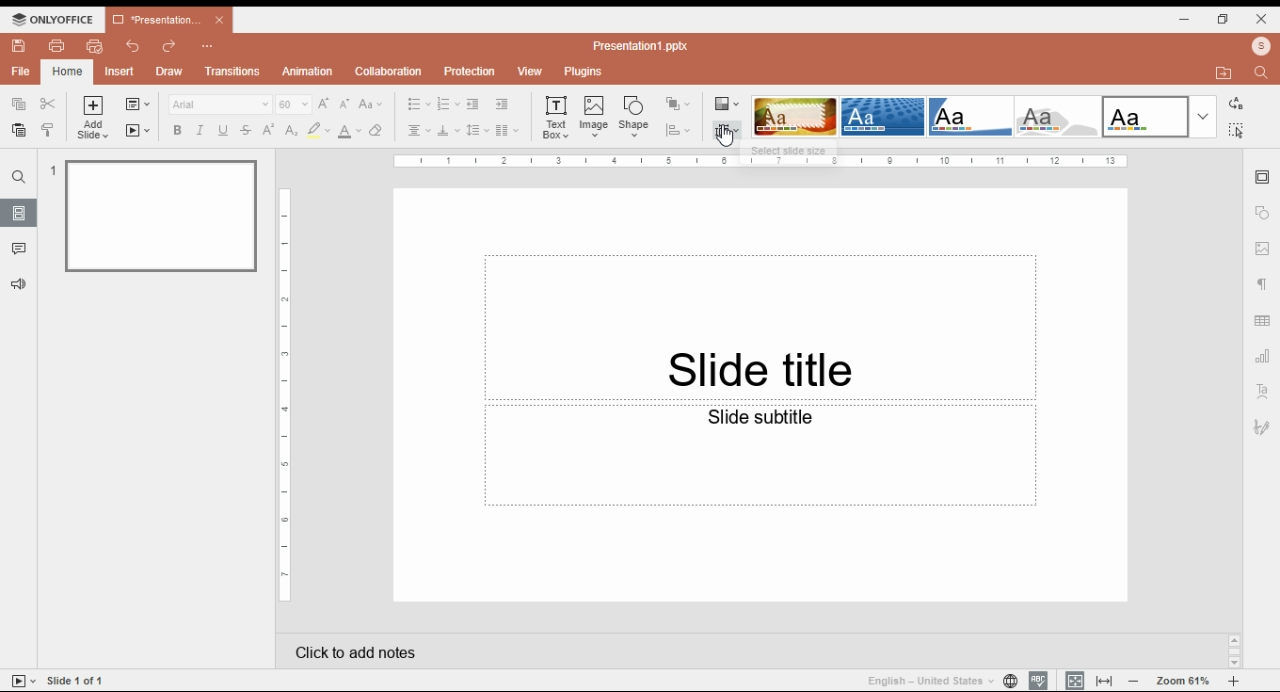 This screenshot has width=1280, height=692. I want to click on home, so click(66, 72).